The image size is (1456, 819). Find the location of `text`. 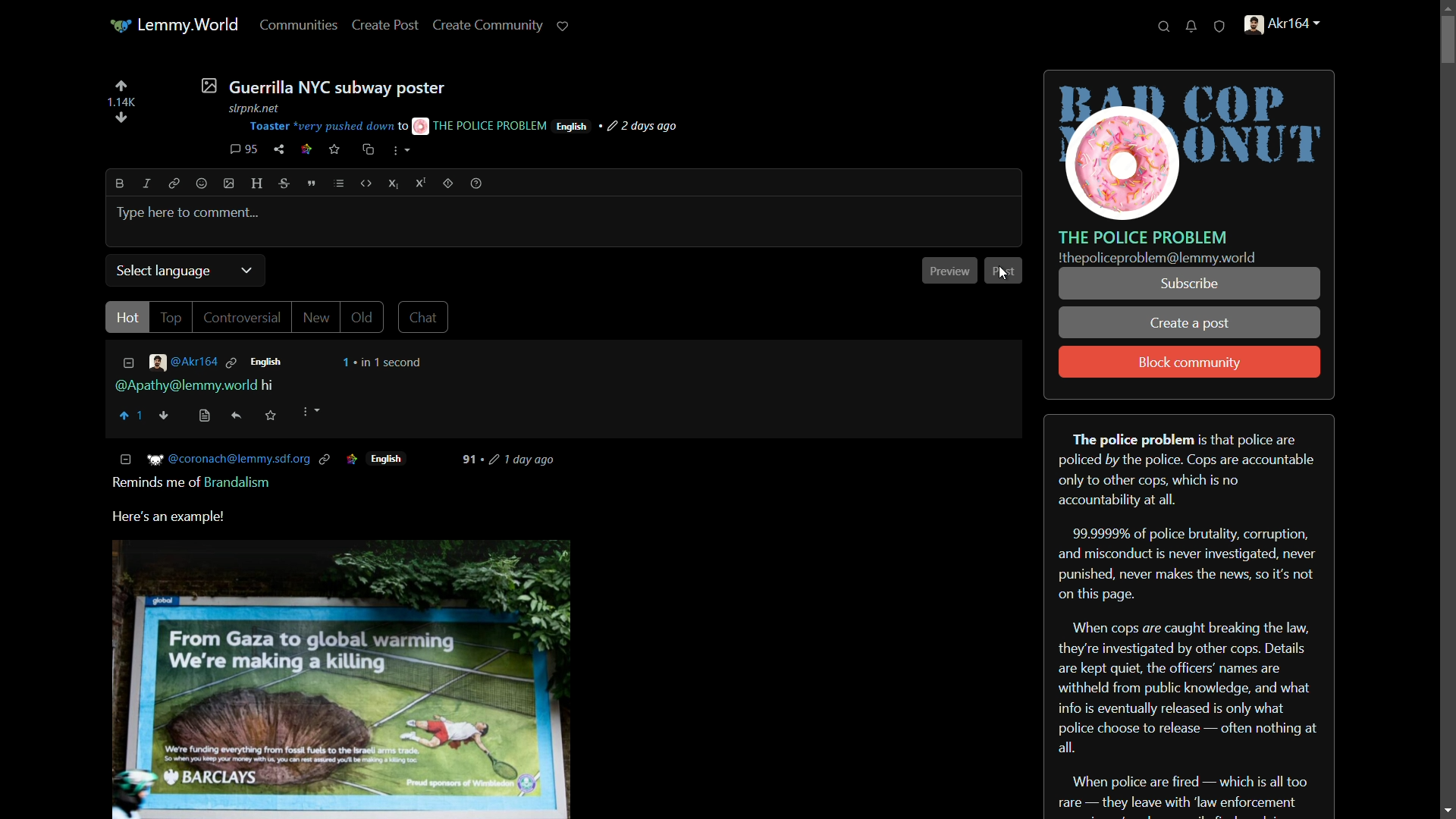

text is located at coordinates (1157, 259).